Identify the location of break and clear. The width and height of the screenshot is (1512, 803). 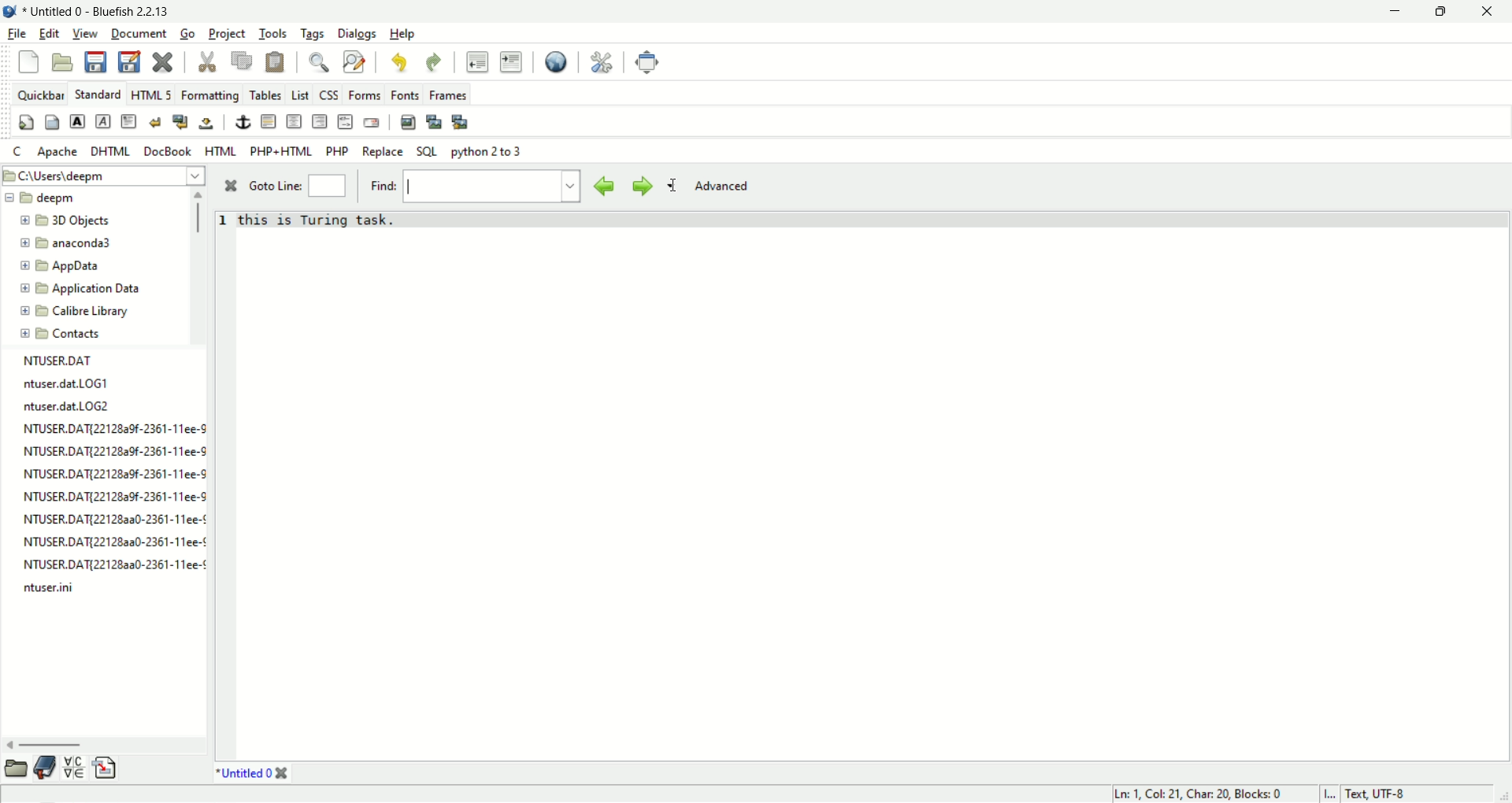
(181, 123).